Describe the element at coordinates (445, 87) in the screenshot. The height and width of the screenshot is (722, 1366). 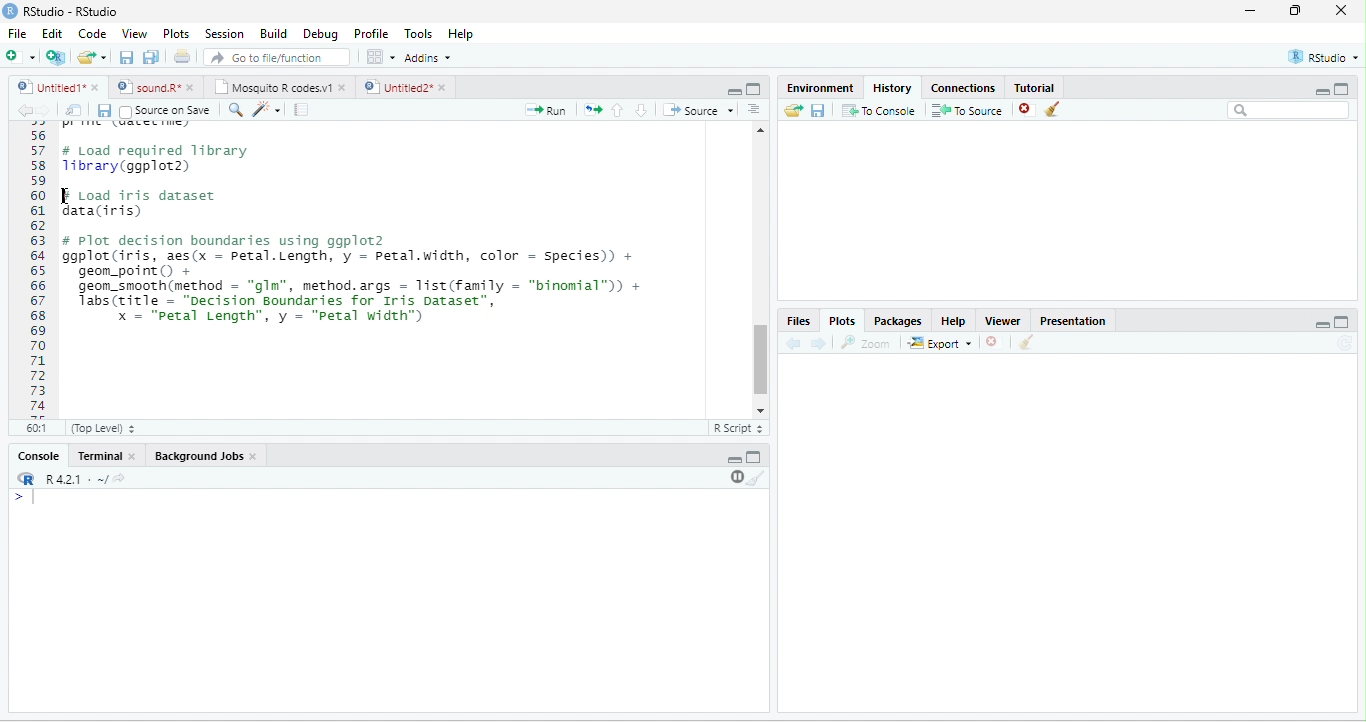
I see `close` at that location.